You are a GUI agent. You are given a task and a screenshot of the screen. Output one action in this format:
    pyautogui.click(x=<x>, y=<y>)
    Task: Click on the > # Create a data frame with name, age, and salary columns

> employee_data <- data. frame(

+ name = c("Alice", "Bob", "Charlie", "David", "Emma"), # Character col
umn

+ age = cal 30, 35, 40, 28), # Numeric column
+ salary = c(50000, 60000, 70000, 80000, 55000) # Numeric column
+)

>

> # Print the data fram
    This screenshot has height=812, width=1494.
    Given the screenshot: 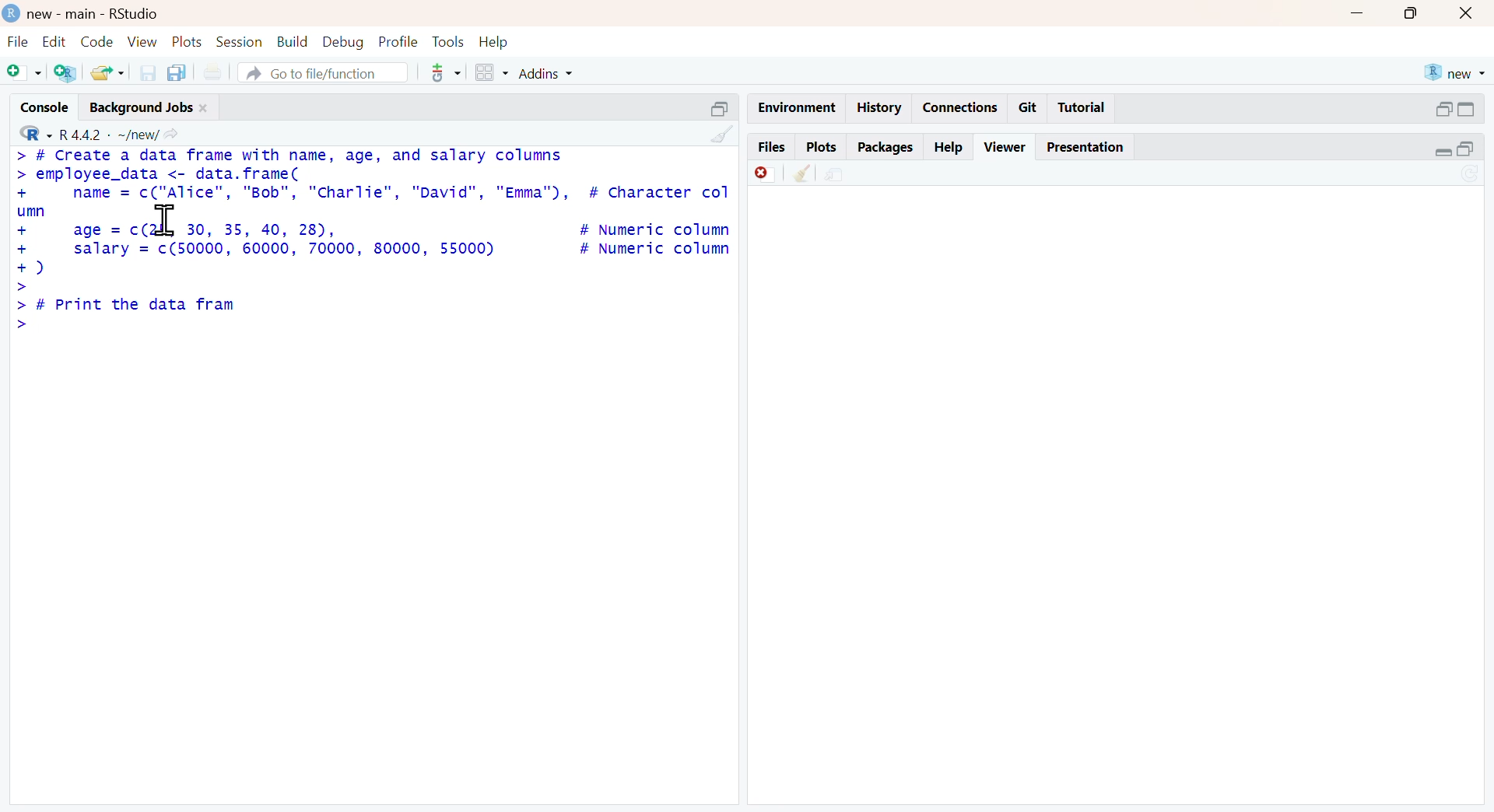 What is the action you would take?
    pyautogui.click(x=372, y=234)
    